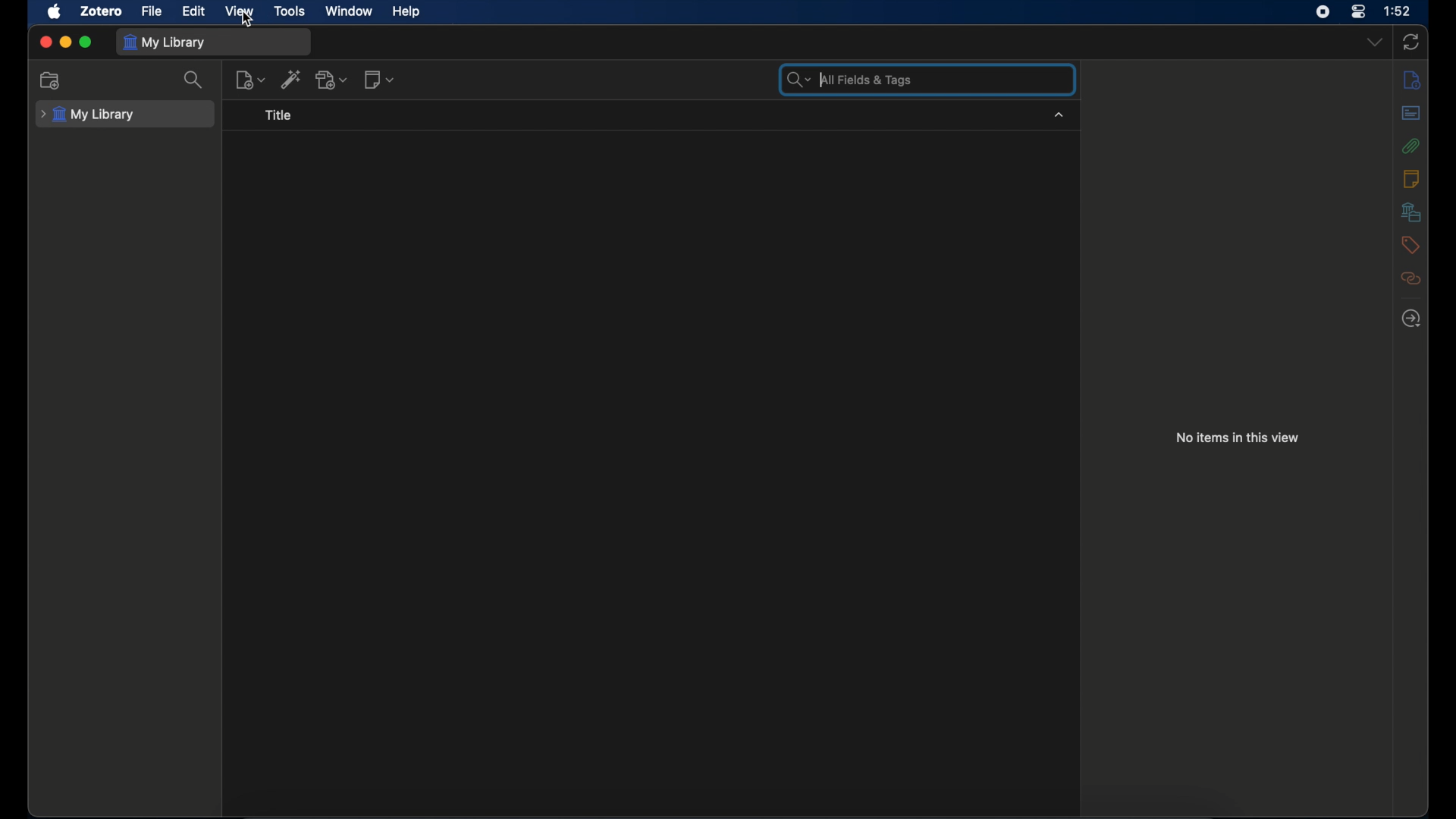 The image size is (1456, 819). I want to click on locate, so click(1410, 319).